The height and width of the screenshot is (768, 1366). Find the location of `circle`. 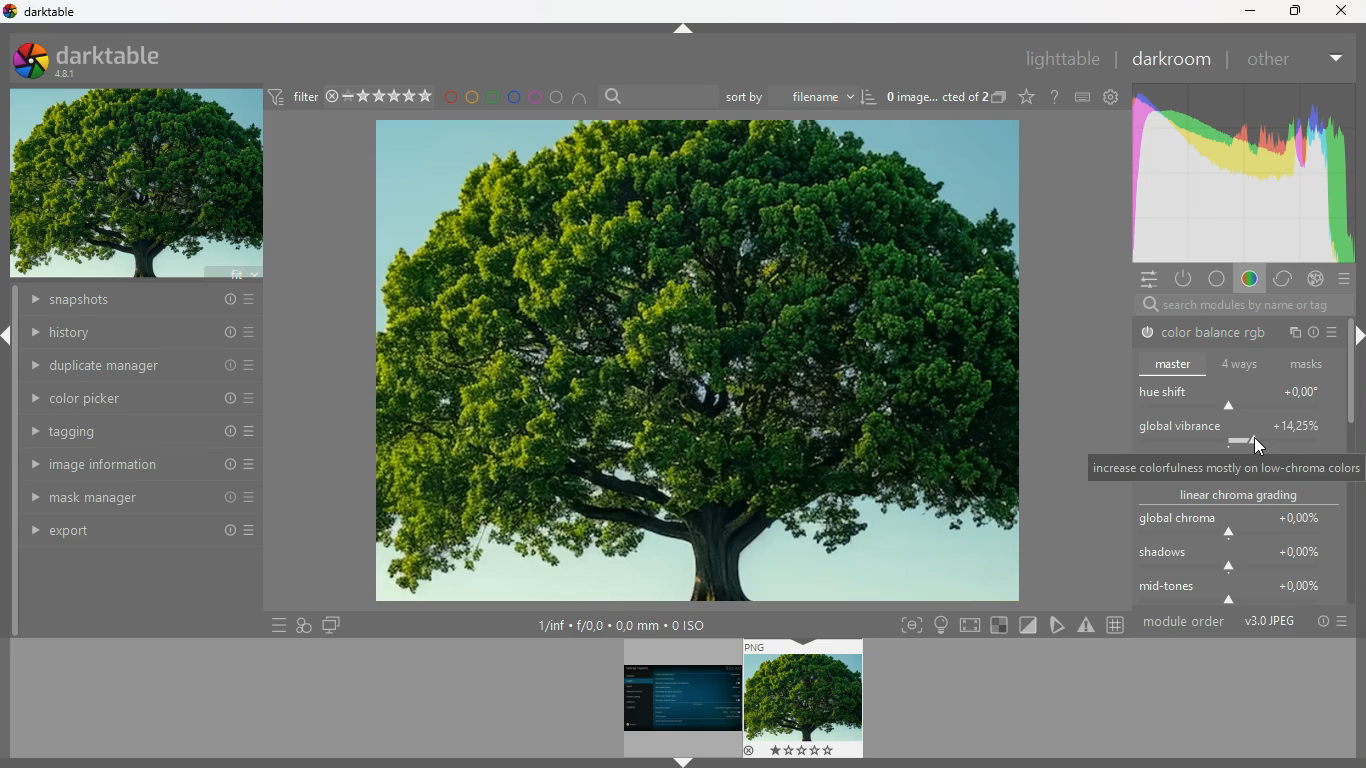

circle is located at coordinates (1217, 280).